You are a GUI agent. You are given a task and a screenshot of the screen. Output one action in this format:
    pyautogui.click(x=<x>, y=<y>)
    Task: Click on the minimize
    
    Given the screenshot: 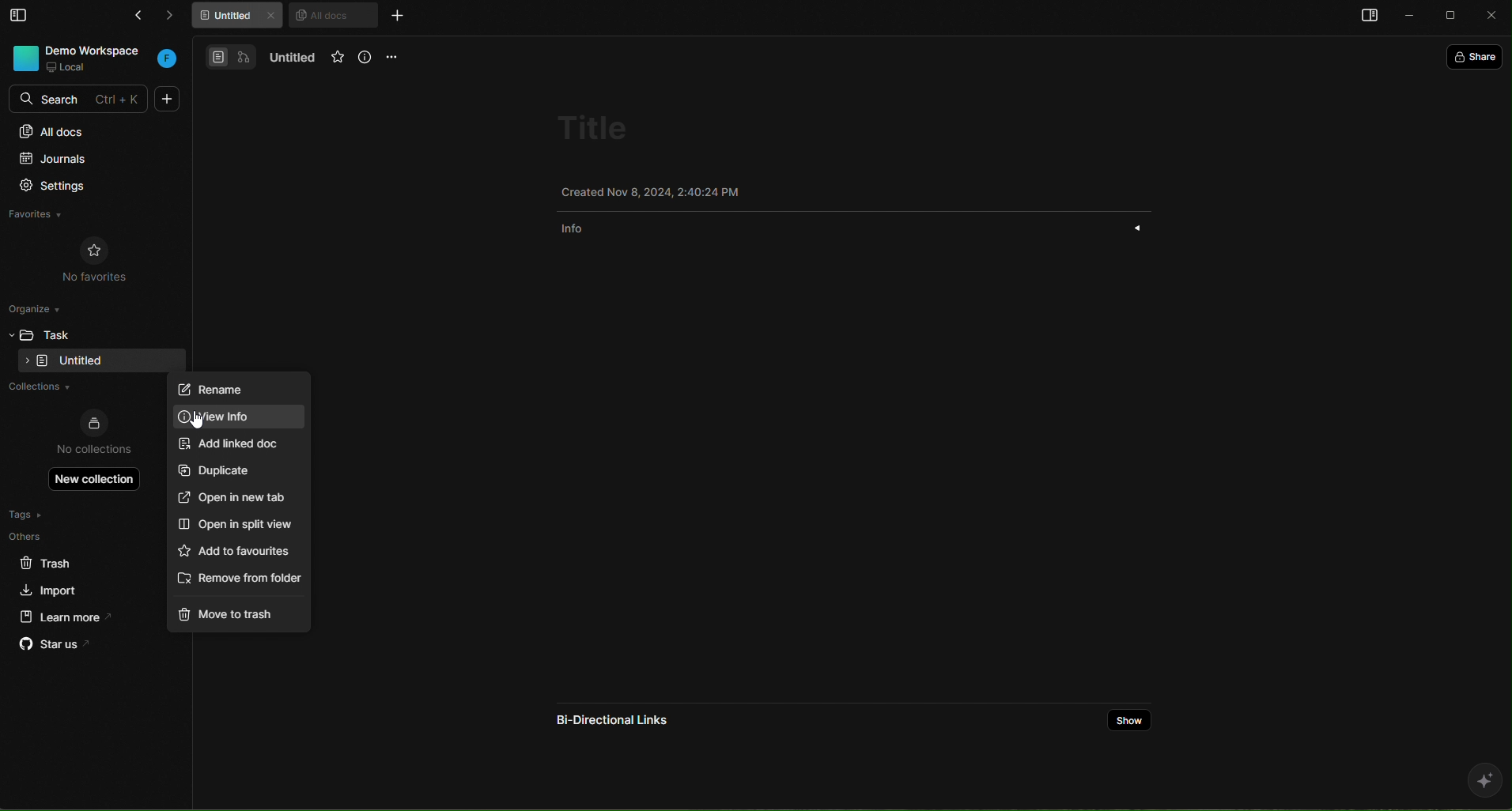 What is the action you would take?
    pyautogui.click(x=1411, y=17)
    